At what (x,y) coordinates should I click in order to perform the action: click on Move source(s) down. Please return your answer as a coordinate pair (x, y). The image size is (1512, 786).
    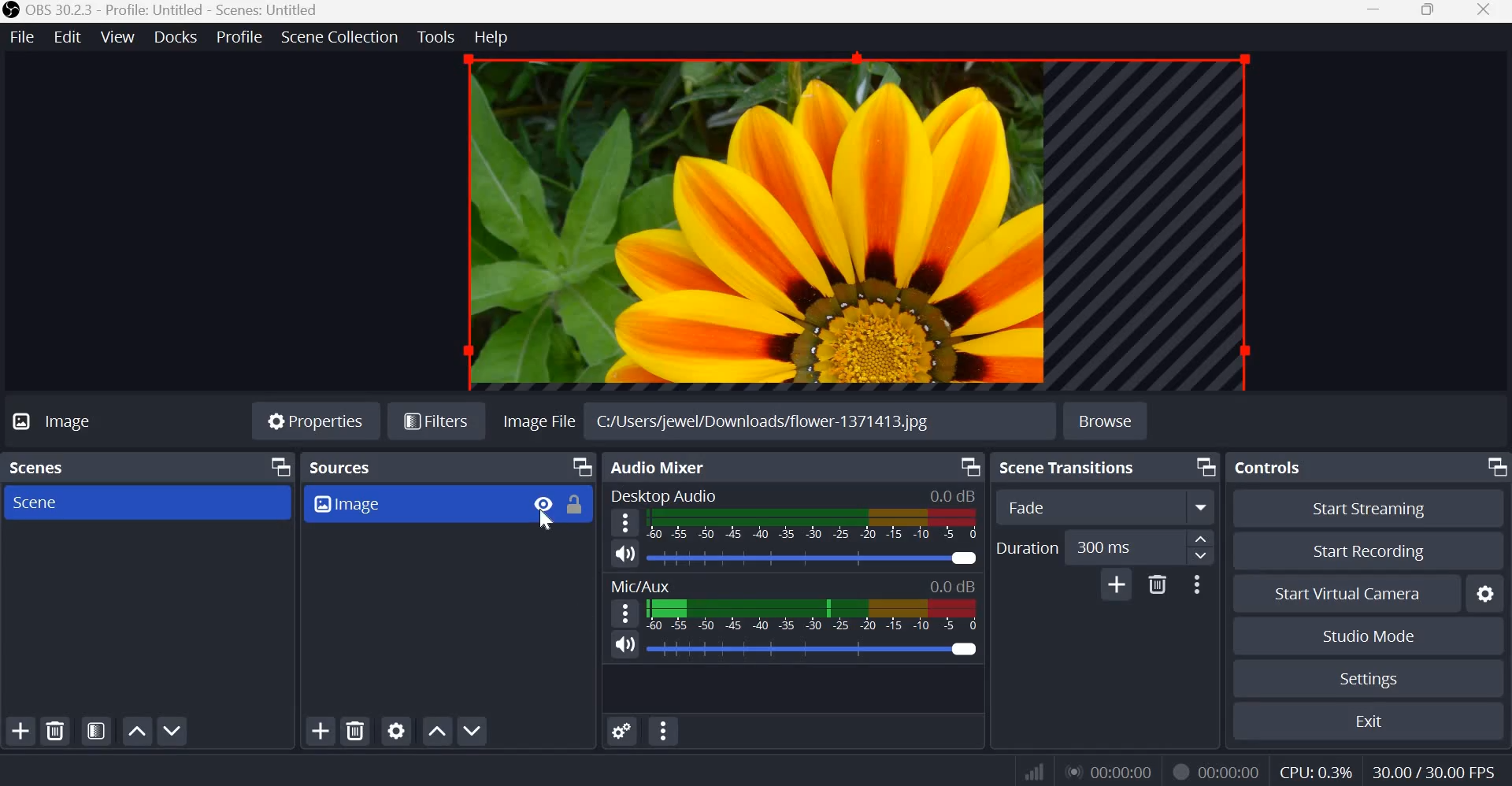
    Looking at the image, I should click on (471, 730).